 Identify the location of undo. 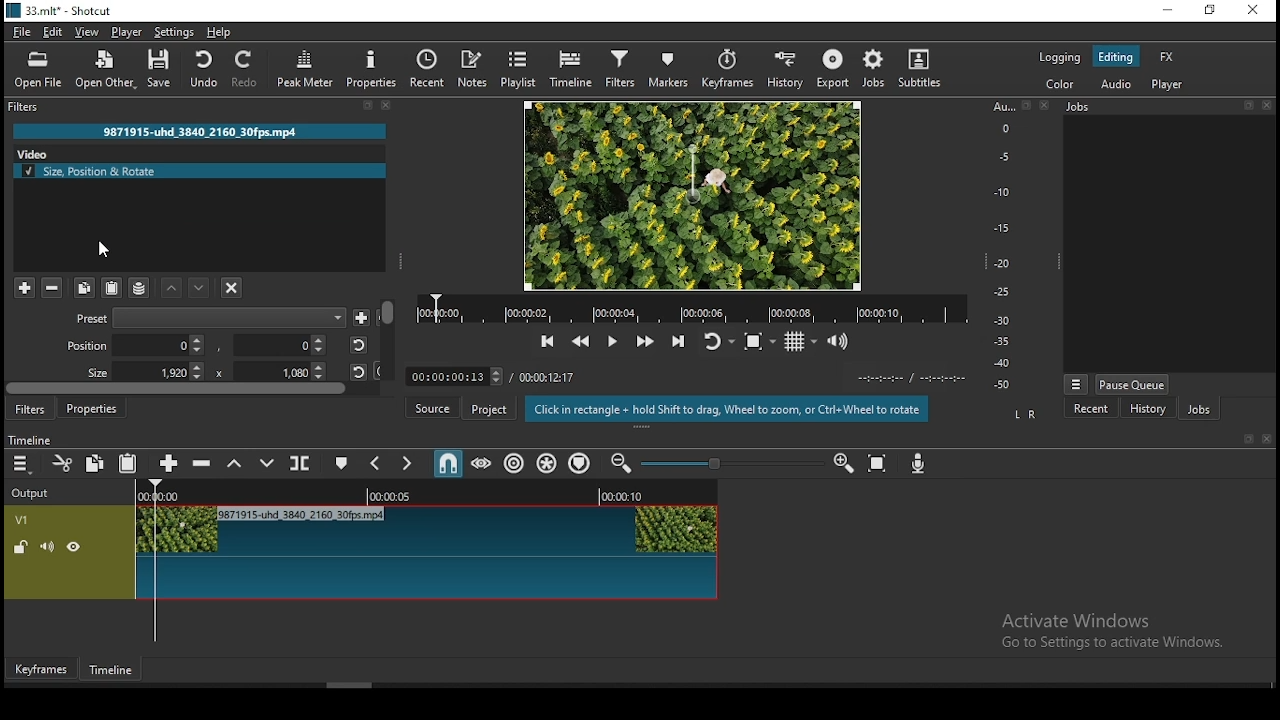
(206, 72).